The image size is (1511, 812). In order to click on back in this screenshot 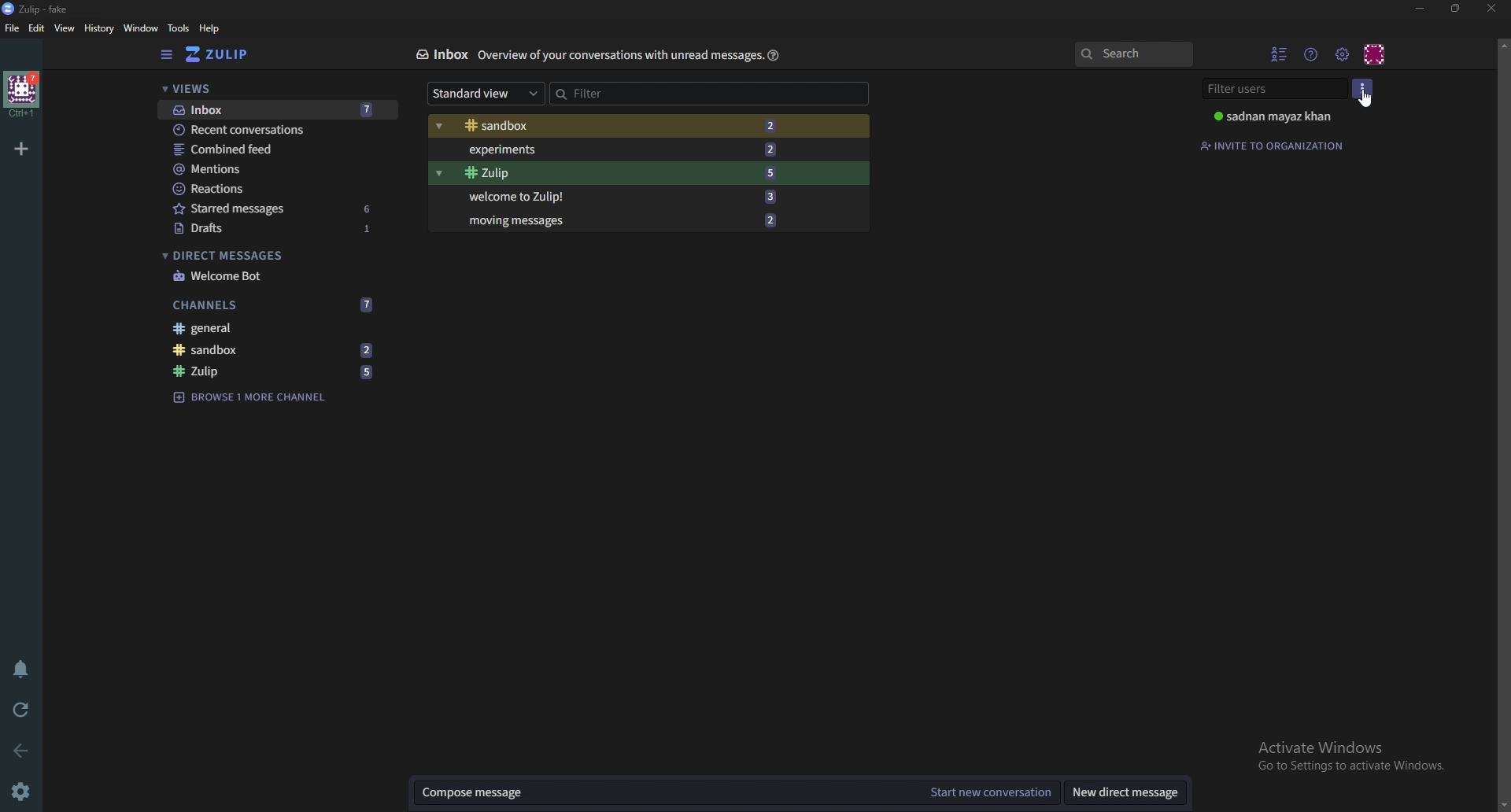, I will do `click(22, 749)`.